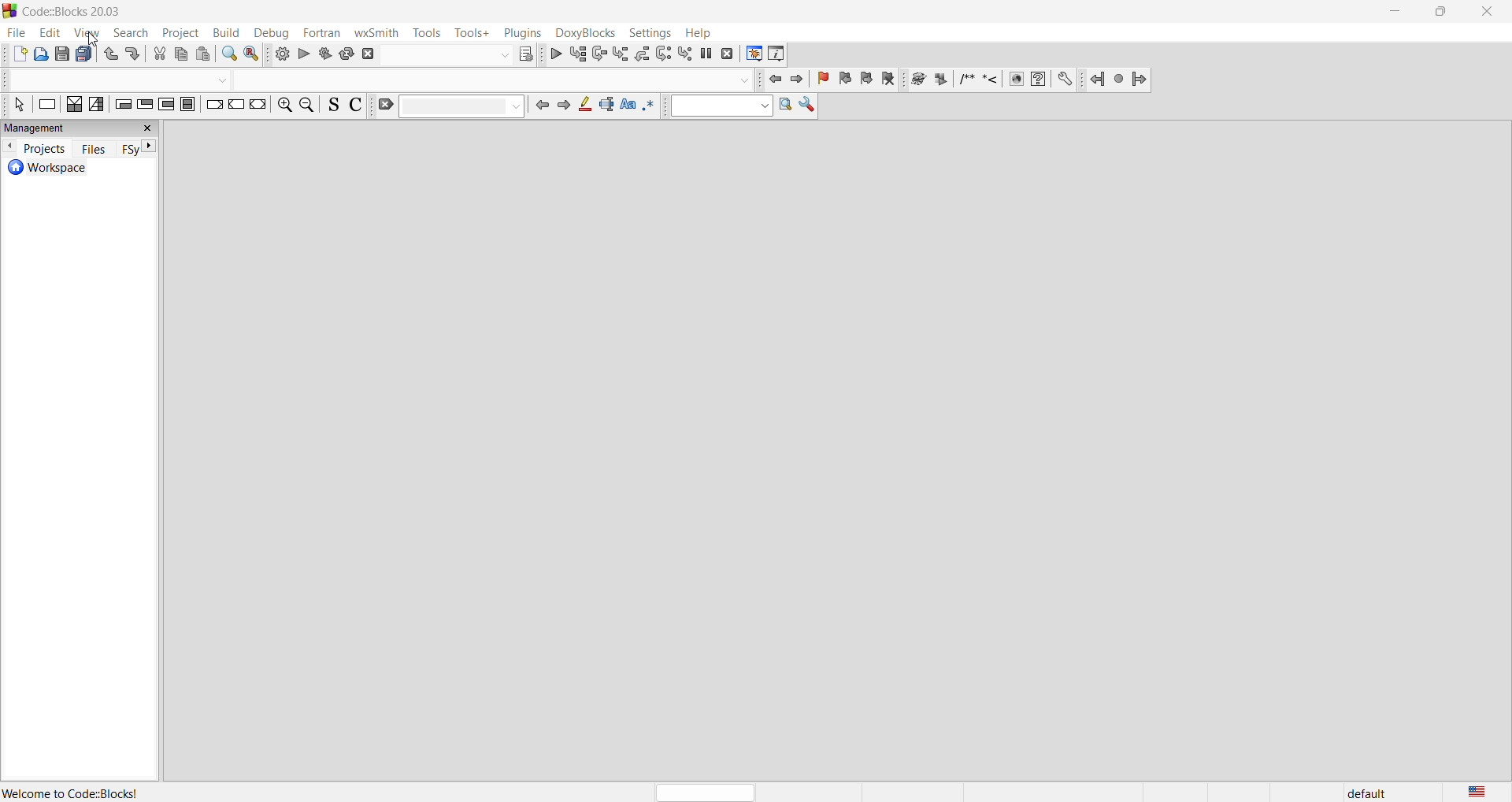 This screenshot has height=802, width=1512. What do you see at coordinates (728, 55) in the screenshot?
I see `stop debugger` at bounding box center [728, 55].